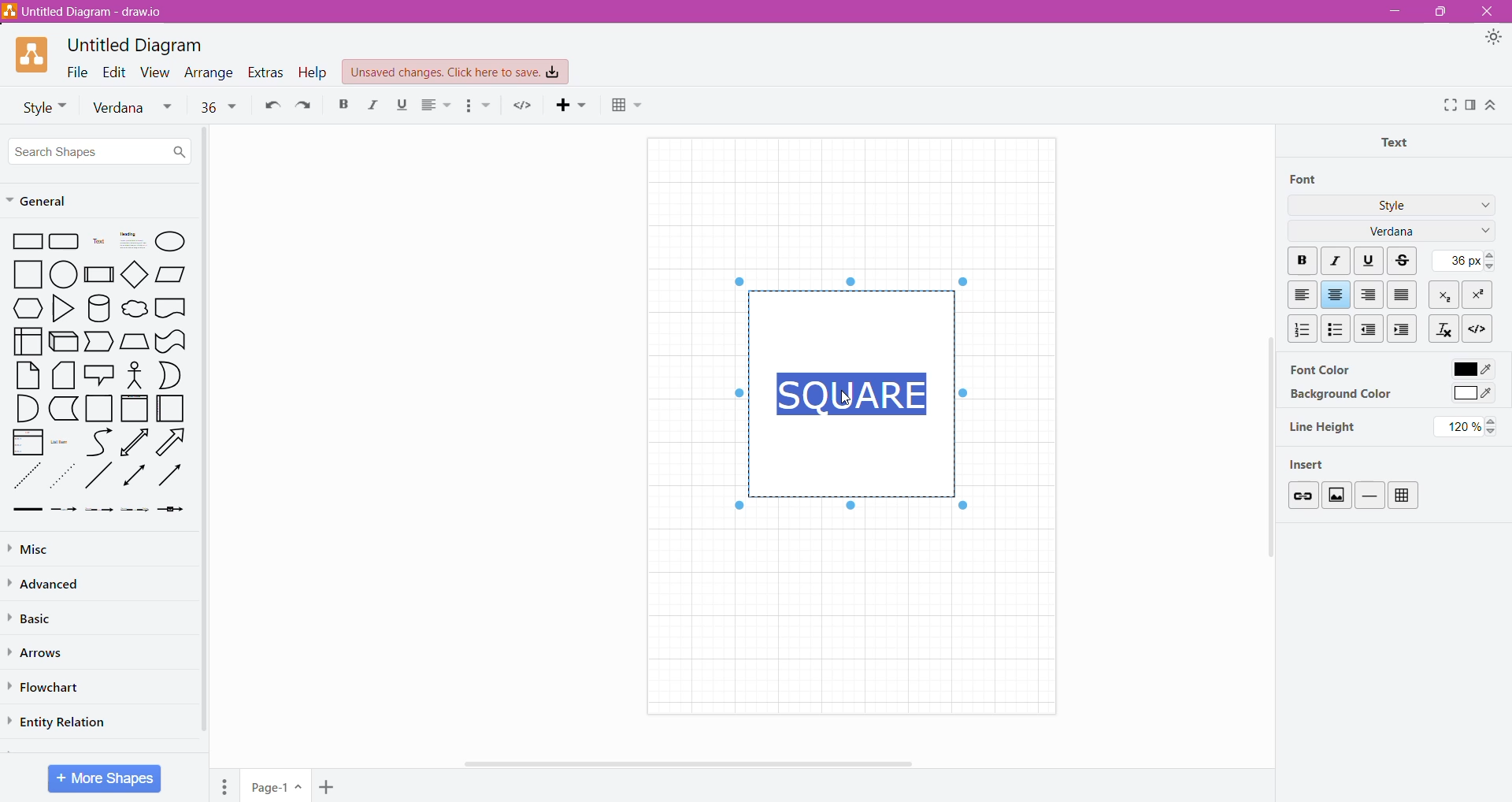 The width and height of the screenshot is (1512, 802). I want to click on Subprocess, so click(99, 273).